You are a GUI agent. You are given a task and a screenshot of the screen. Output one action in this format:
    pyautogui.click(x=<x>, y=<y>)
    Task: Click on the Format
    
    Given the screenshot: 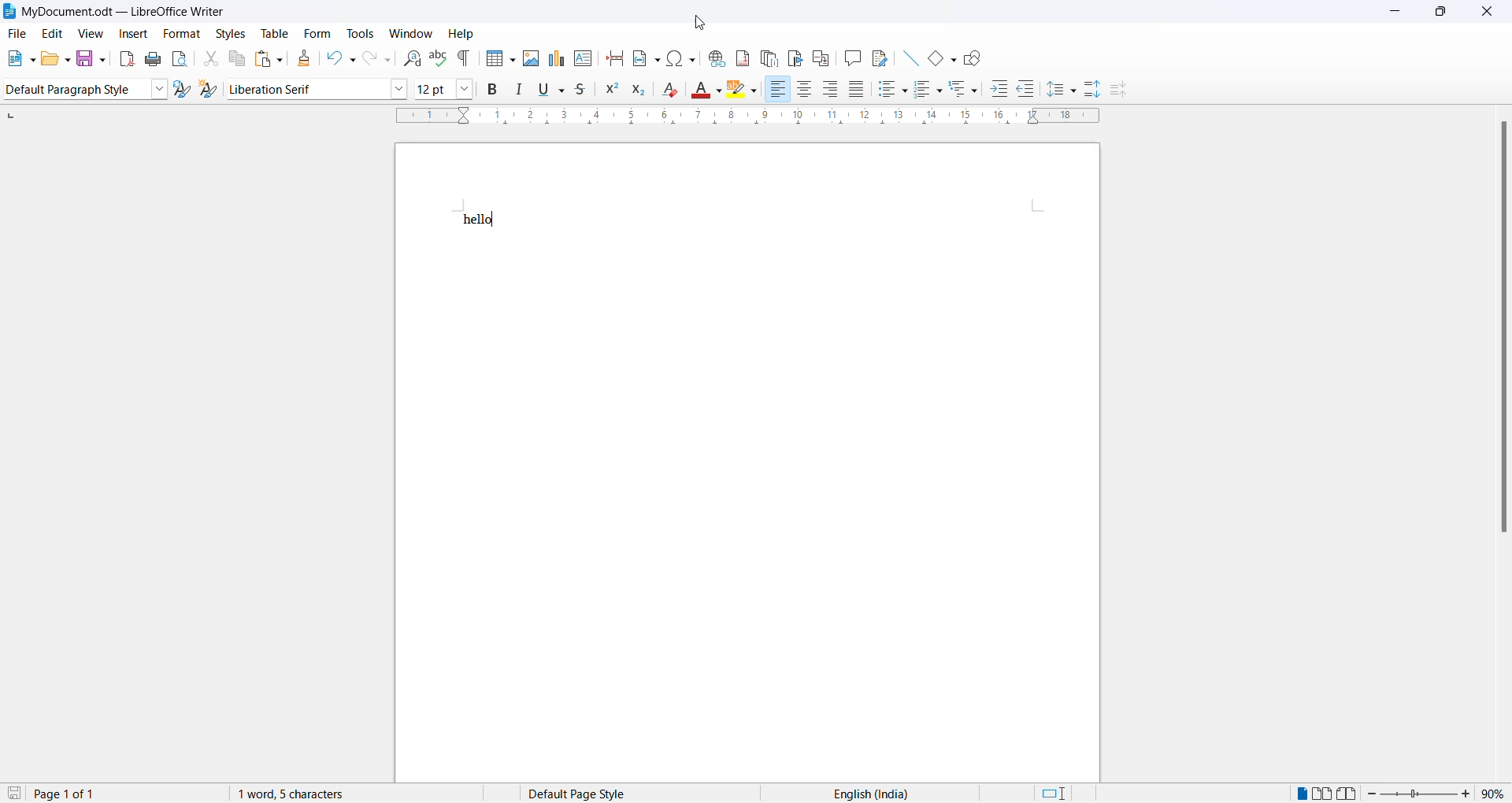 What is the action you would take?
    pyautogui.click(x=182, y=34)
    